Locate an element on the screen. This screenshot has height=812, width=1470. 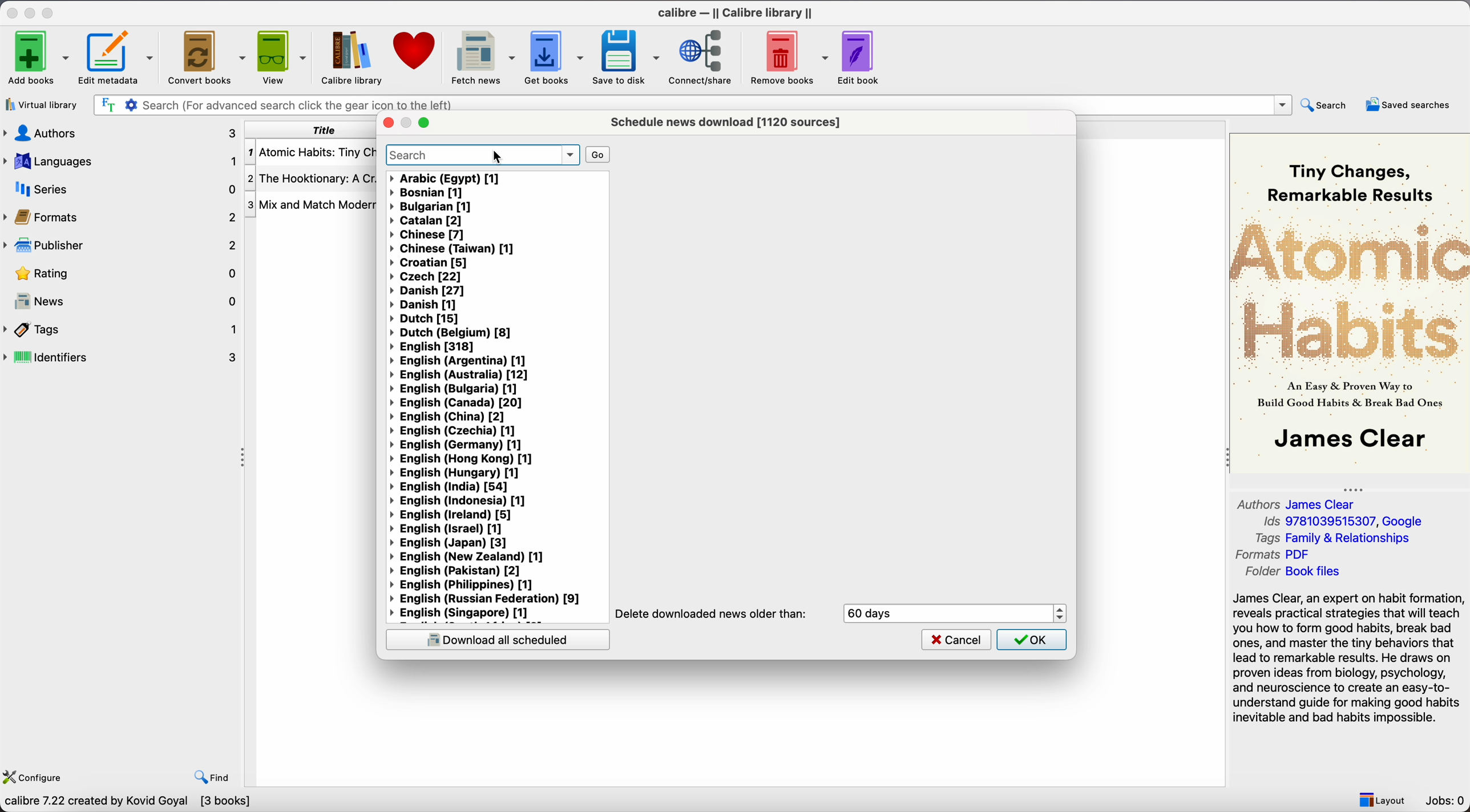
schedule news download [1120 sources] is located at coordinates (729, 122).